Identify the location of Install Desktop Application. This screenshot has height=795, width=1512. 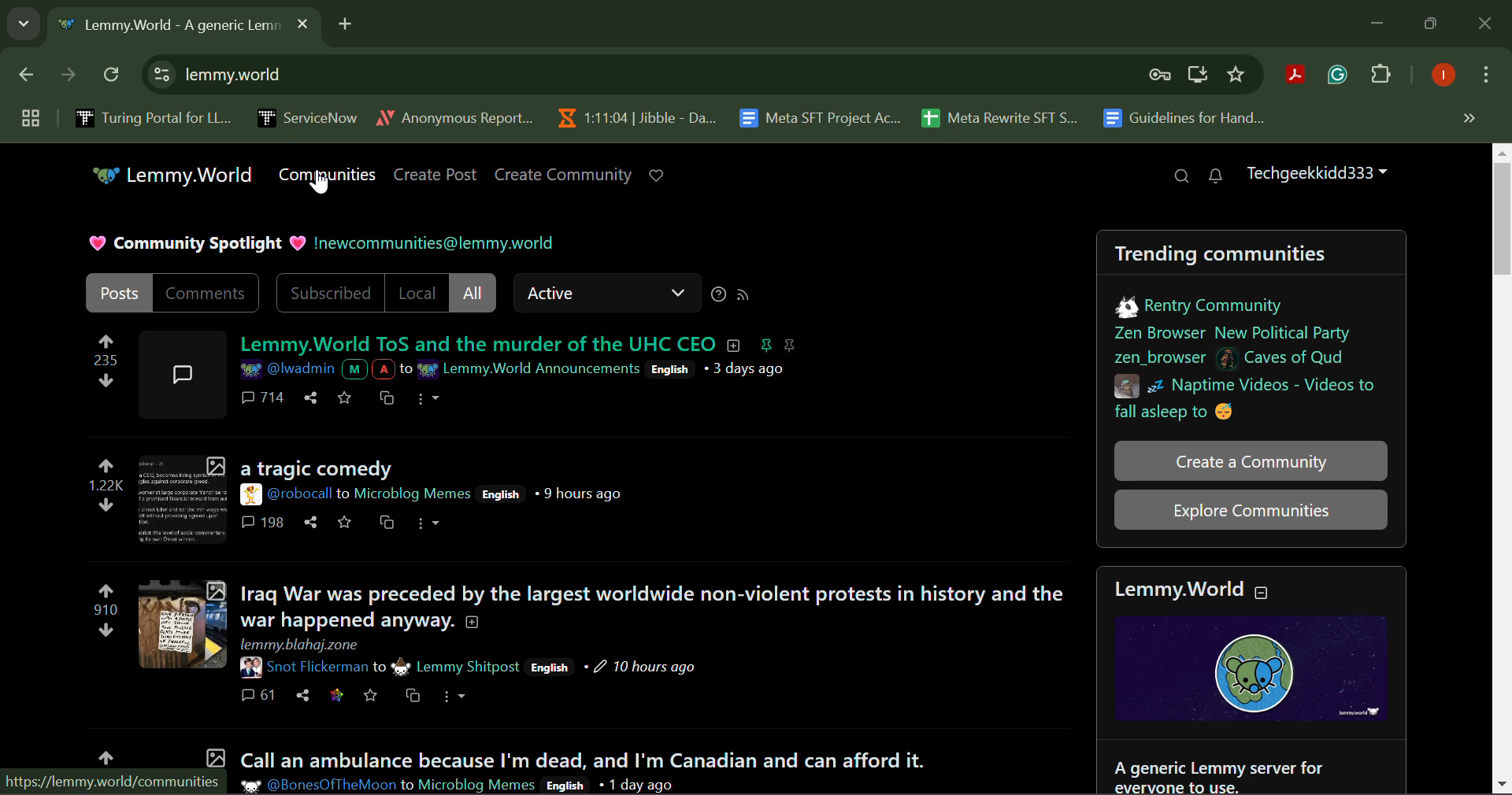
(1197, 76).